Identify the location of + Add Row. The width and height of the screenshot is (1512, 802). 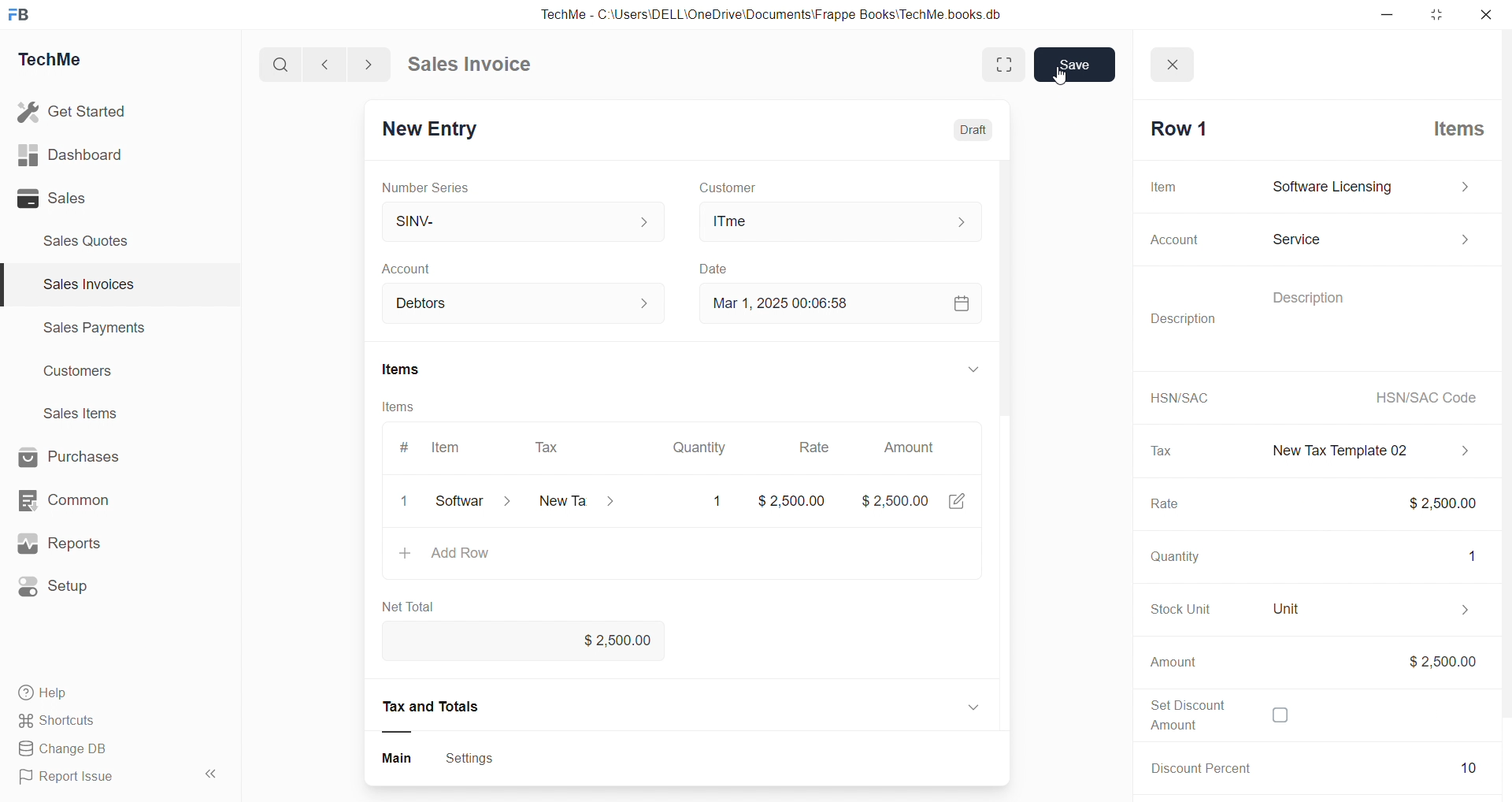
(452, 555).